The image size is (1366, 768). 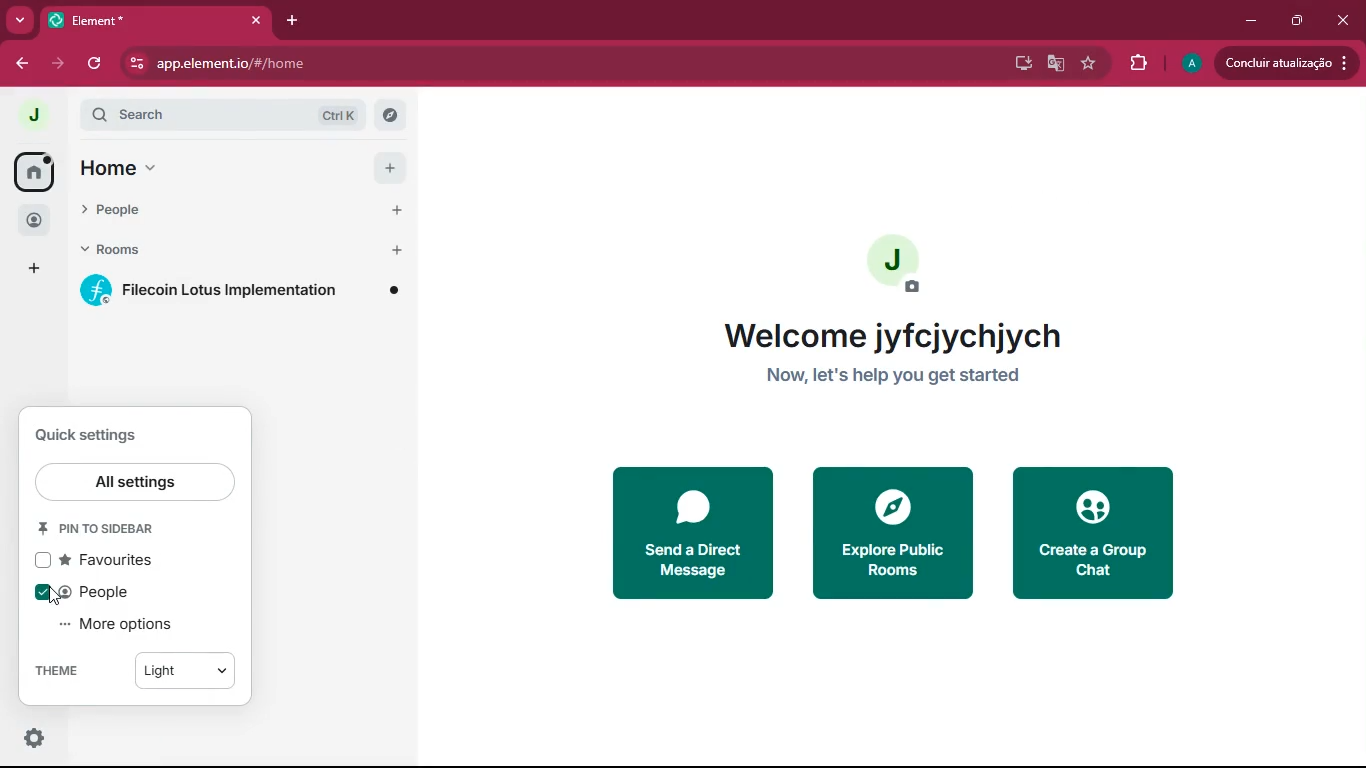 I want to click on people, so click(x=38, y=218).